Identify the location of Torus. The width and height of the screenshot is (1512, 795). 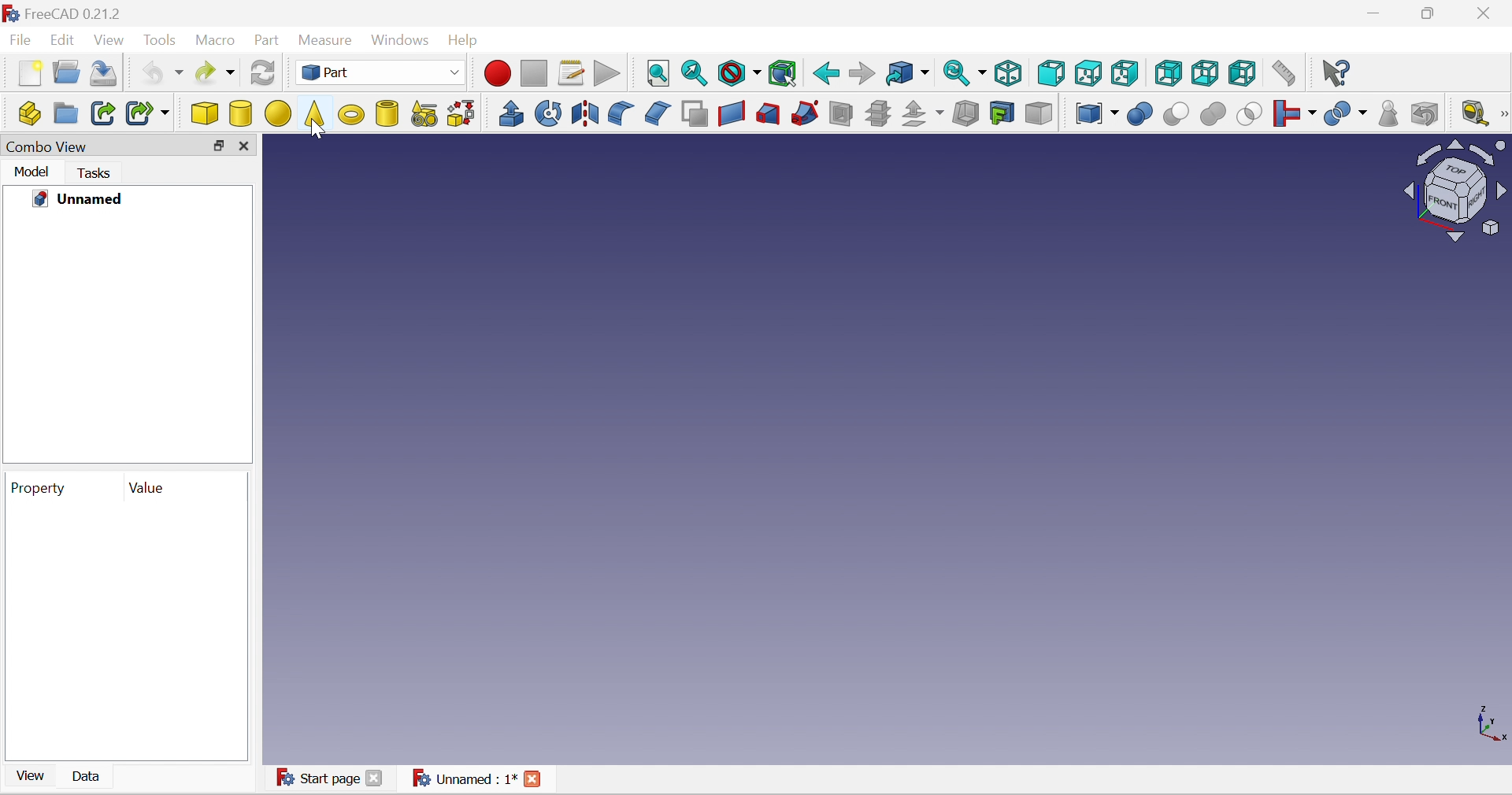
(354, 116).